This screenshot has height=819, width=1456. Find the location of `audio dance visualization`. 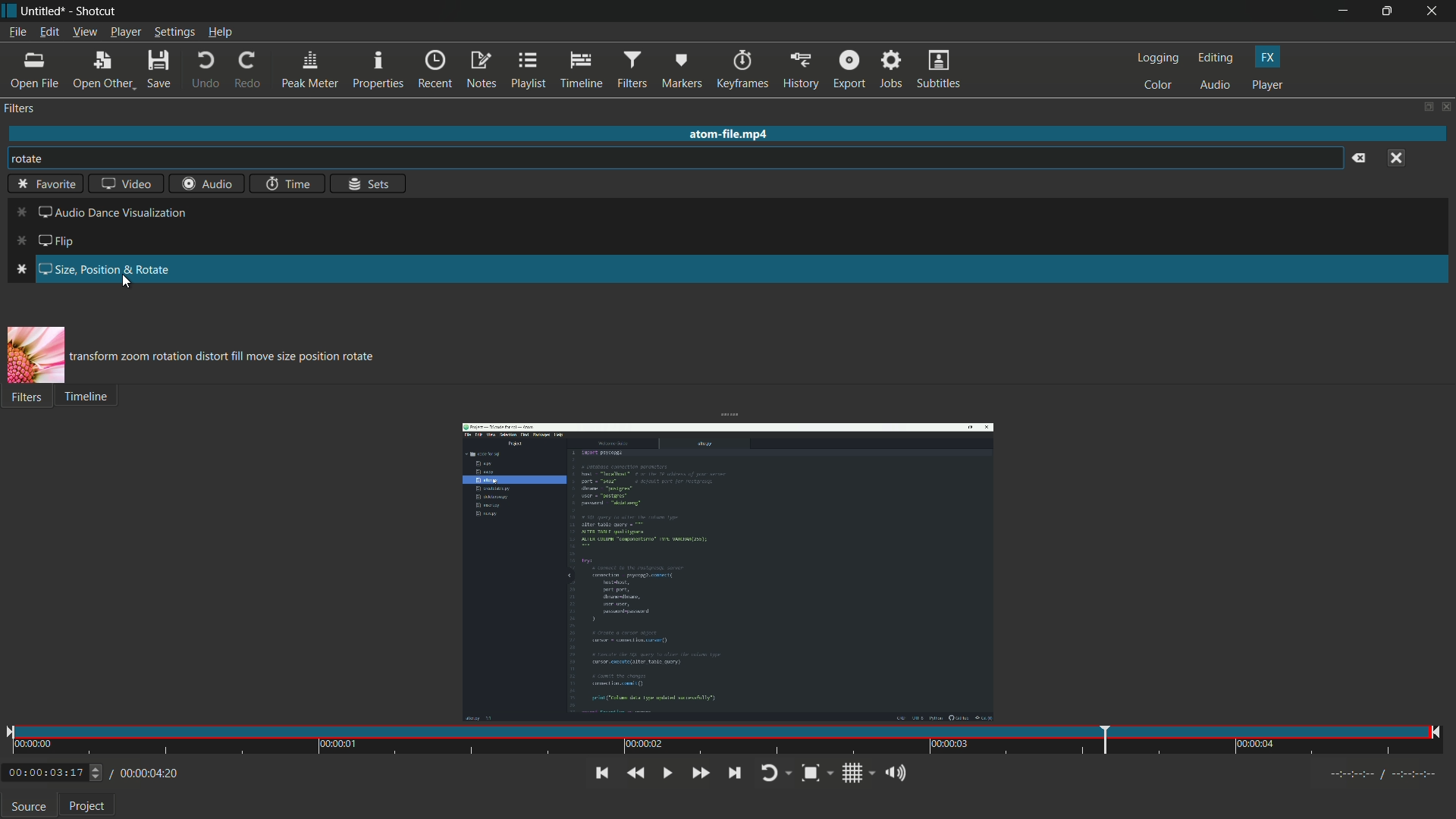

audio dance visualization is located at coordinates (101, 212).